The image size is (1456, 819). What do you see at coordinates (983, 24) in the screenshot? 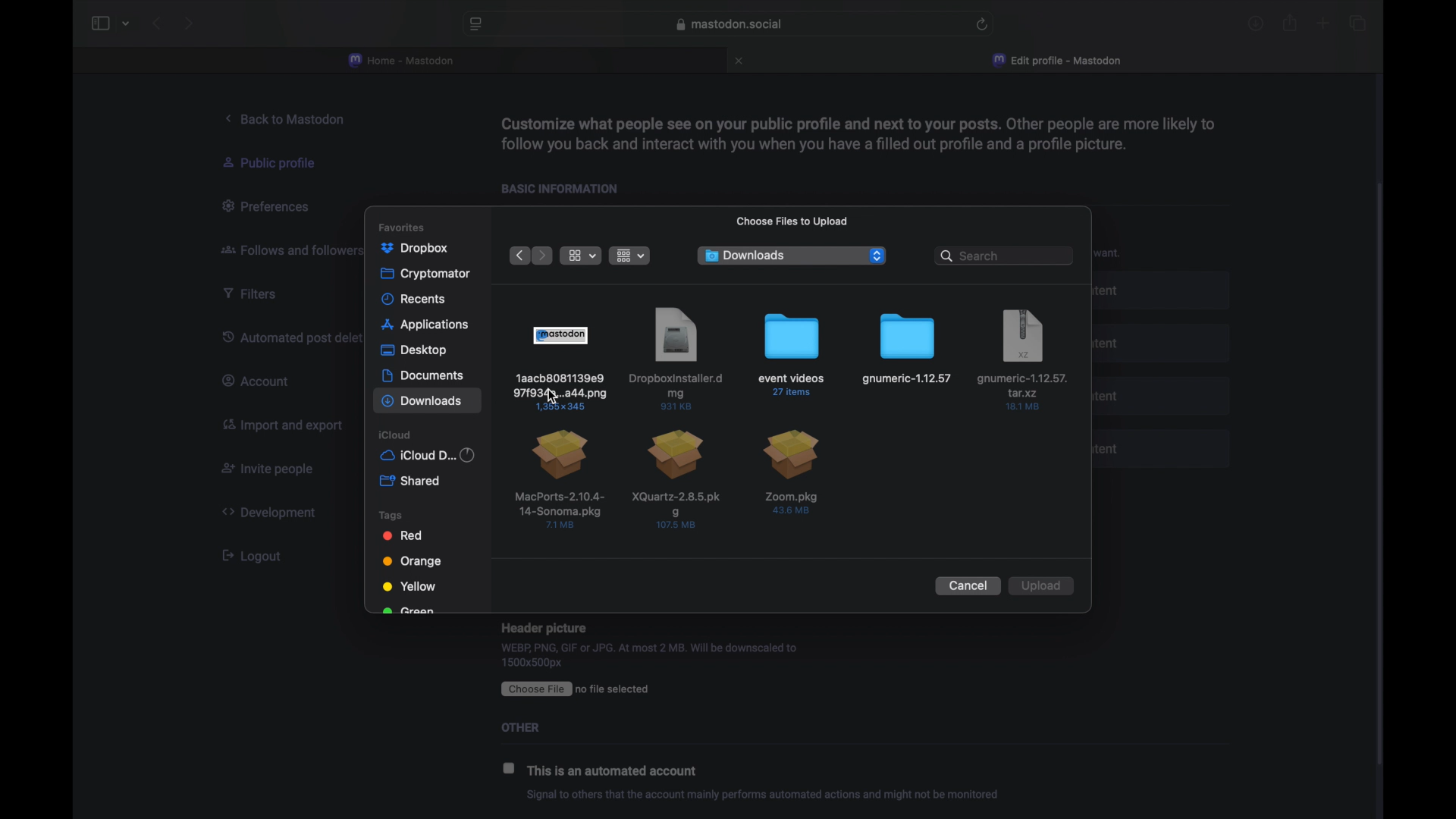
I see `refresh` at bounding box center [983, 24].